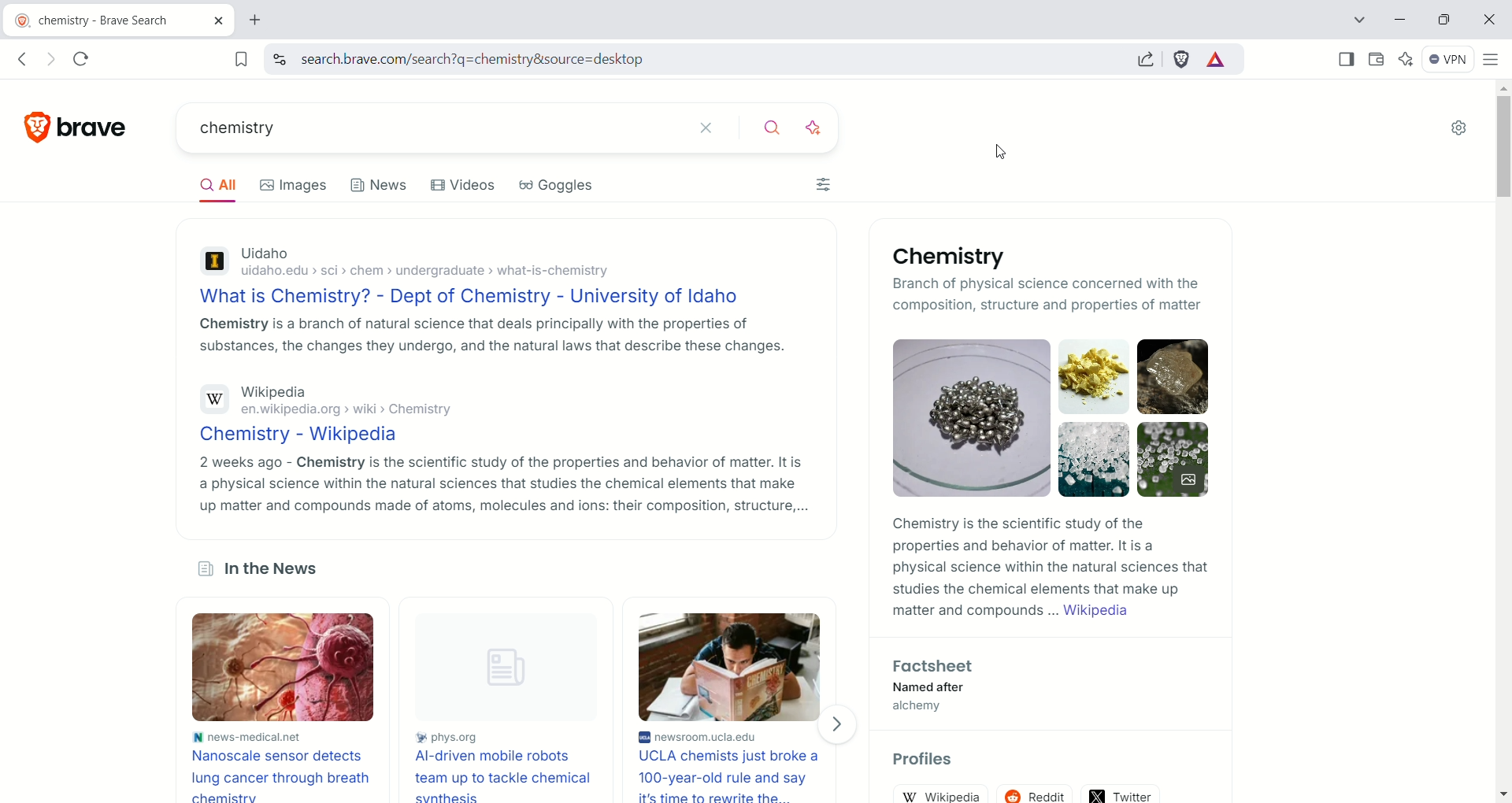  I want to click on leo AI, so click(1409, 57).